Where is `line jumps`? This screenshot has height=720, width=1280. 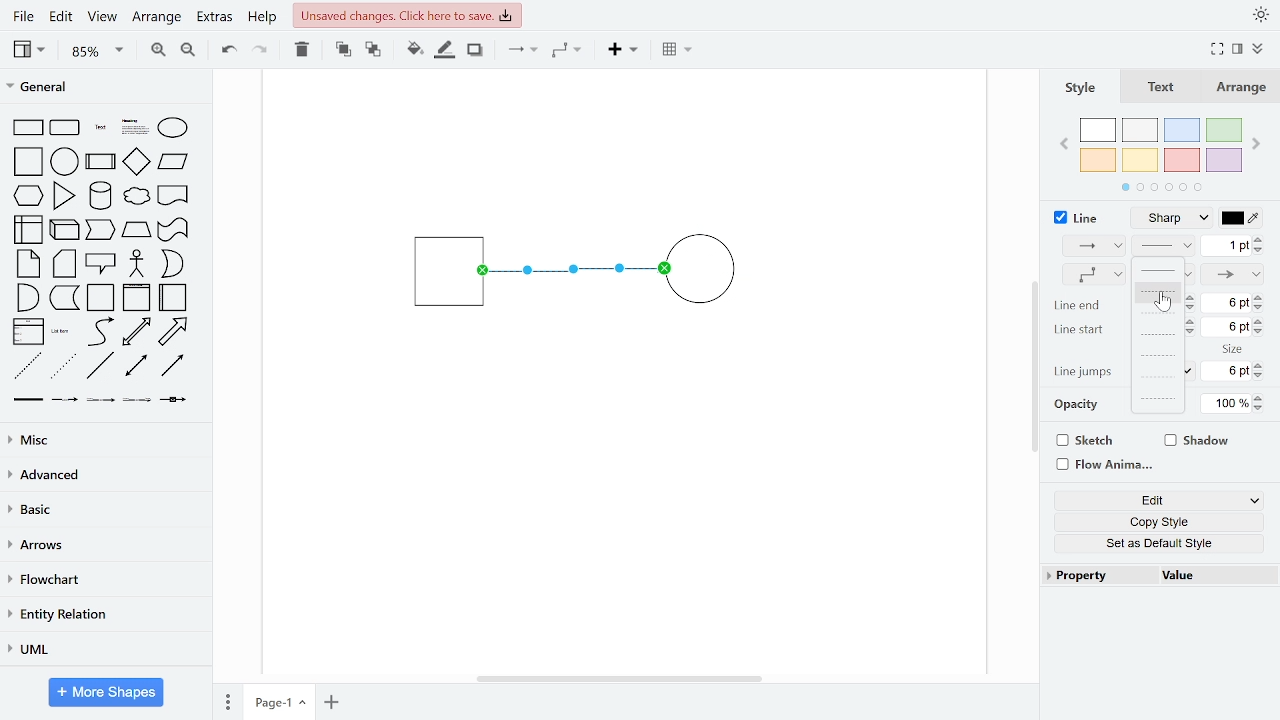 line jumps is located at coordinates (1084, 373).